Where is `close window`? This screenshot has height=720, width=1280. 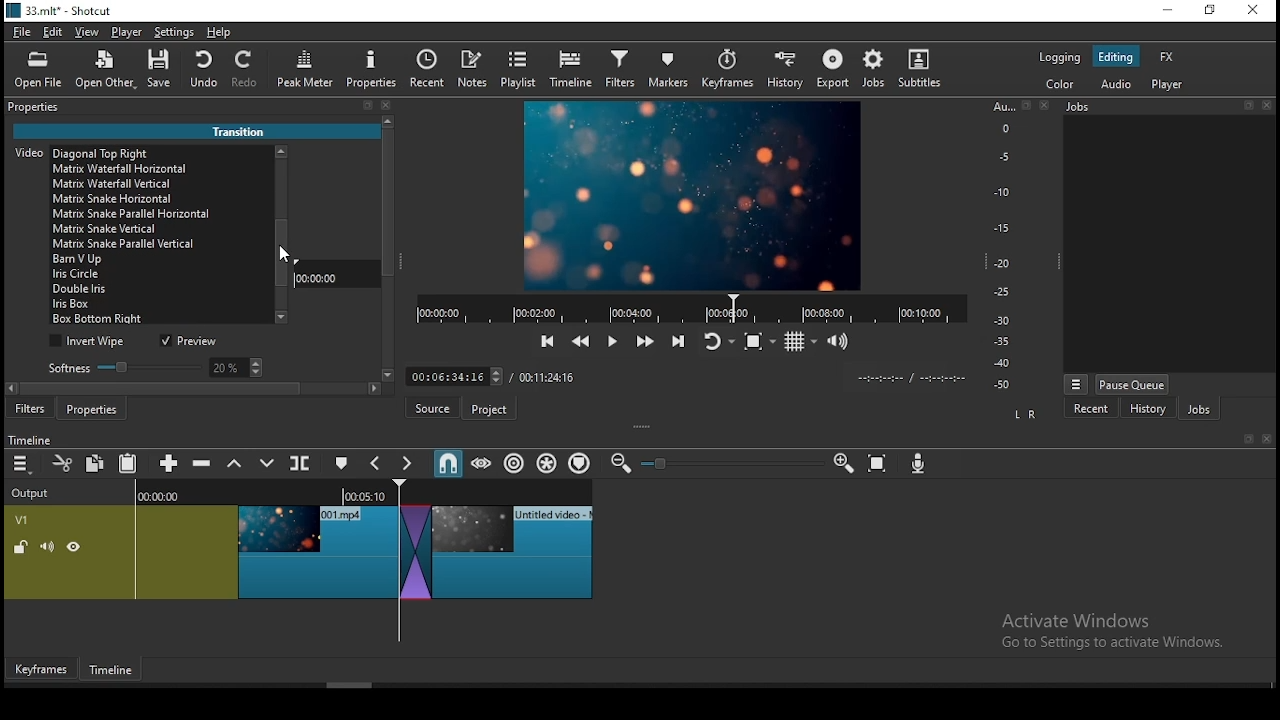
close window is located at coordinates (1252, 11).